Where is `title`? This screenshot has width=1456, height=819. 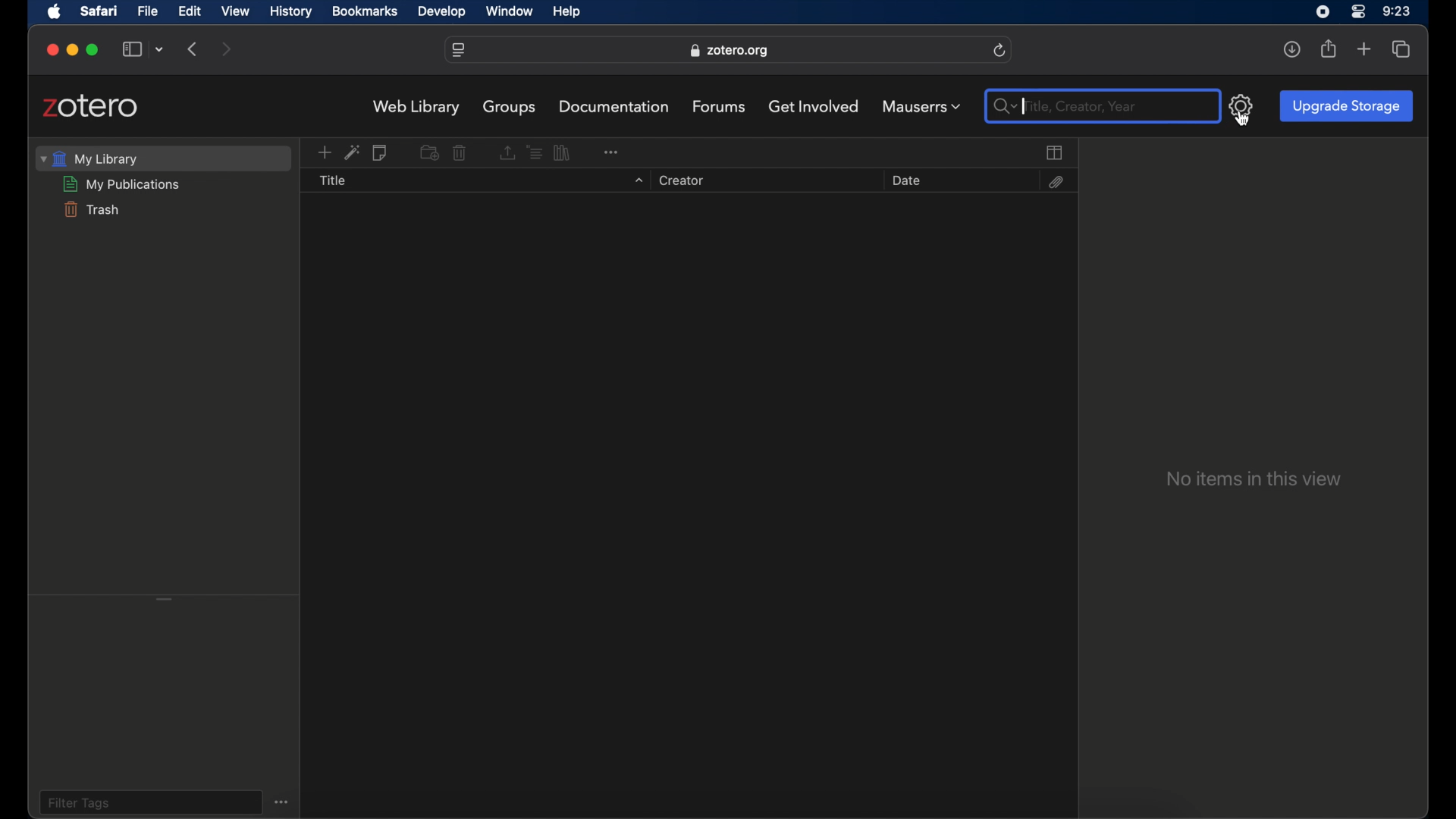 title is located at coordinates (333, 181).